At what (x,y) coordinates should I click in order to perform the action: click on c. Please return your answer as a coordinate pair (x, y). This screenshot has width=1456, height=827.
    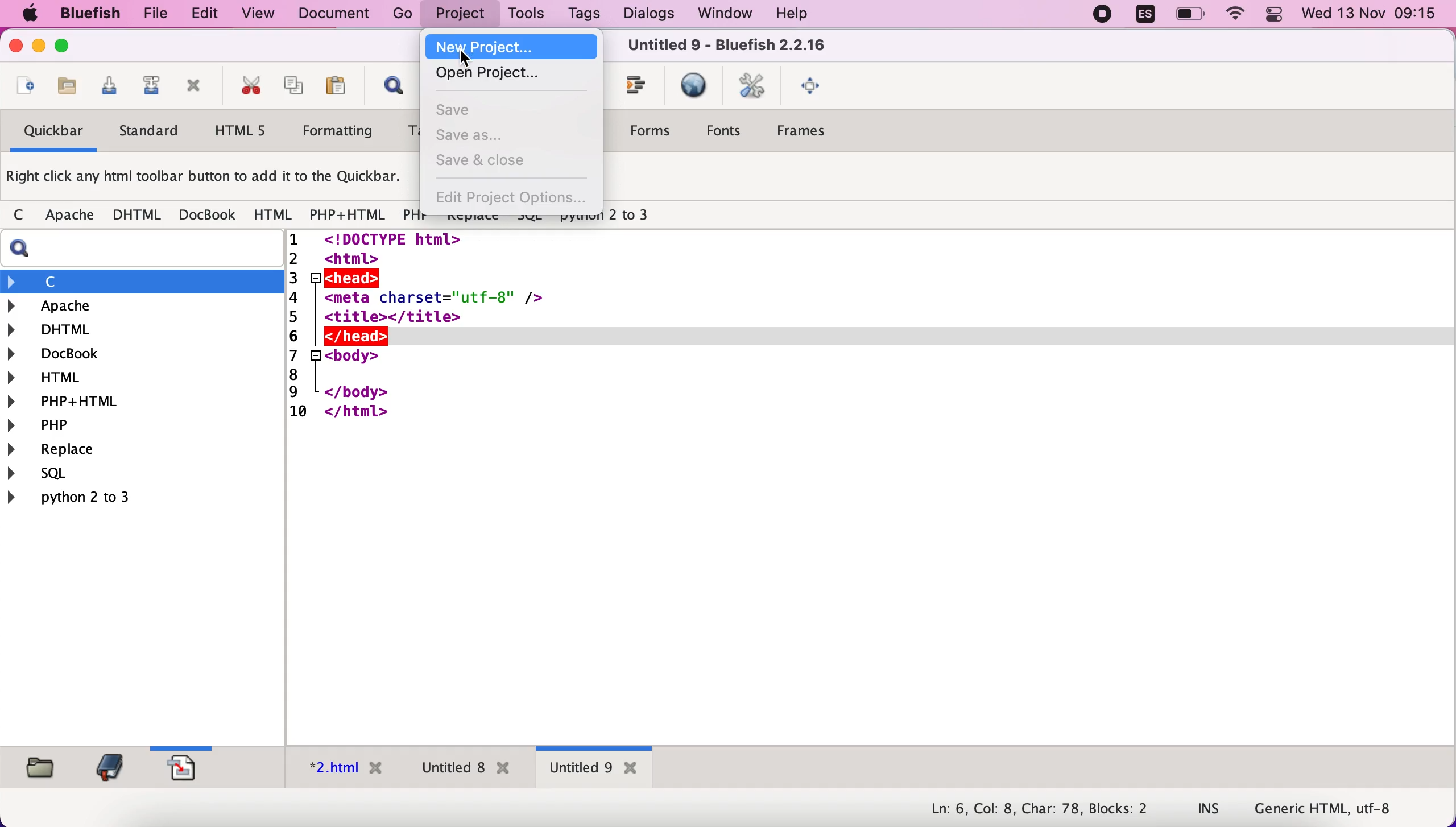
    Looking at the image, I should click on (18, 216).